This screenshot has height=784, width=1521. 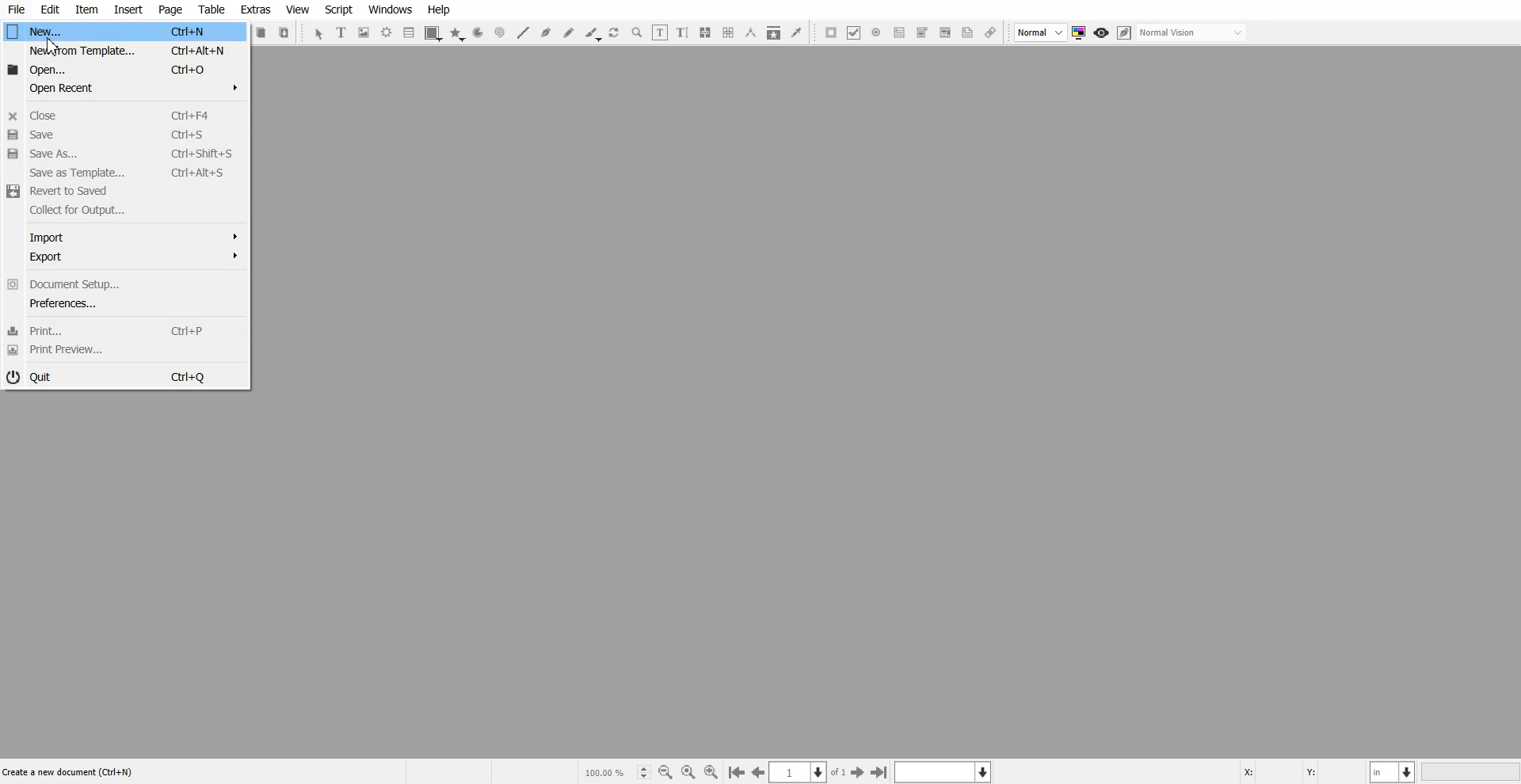 What do you see at coordinates (616, 33) in the screenshot?
I see `Rotate Item` at bounding box center [616, 33].